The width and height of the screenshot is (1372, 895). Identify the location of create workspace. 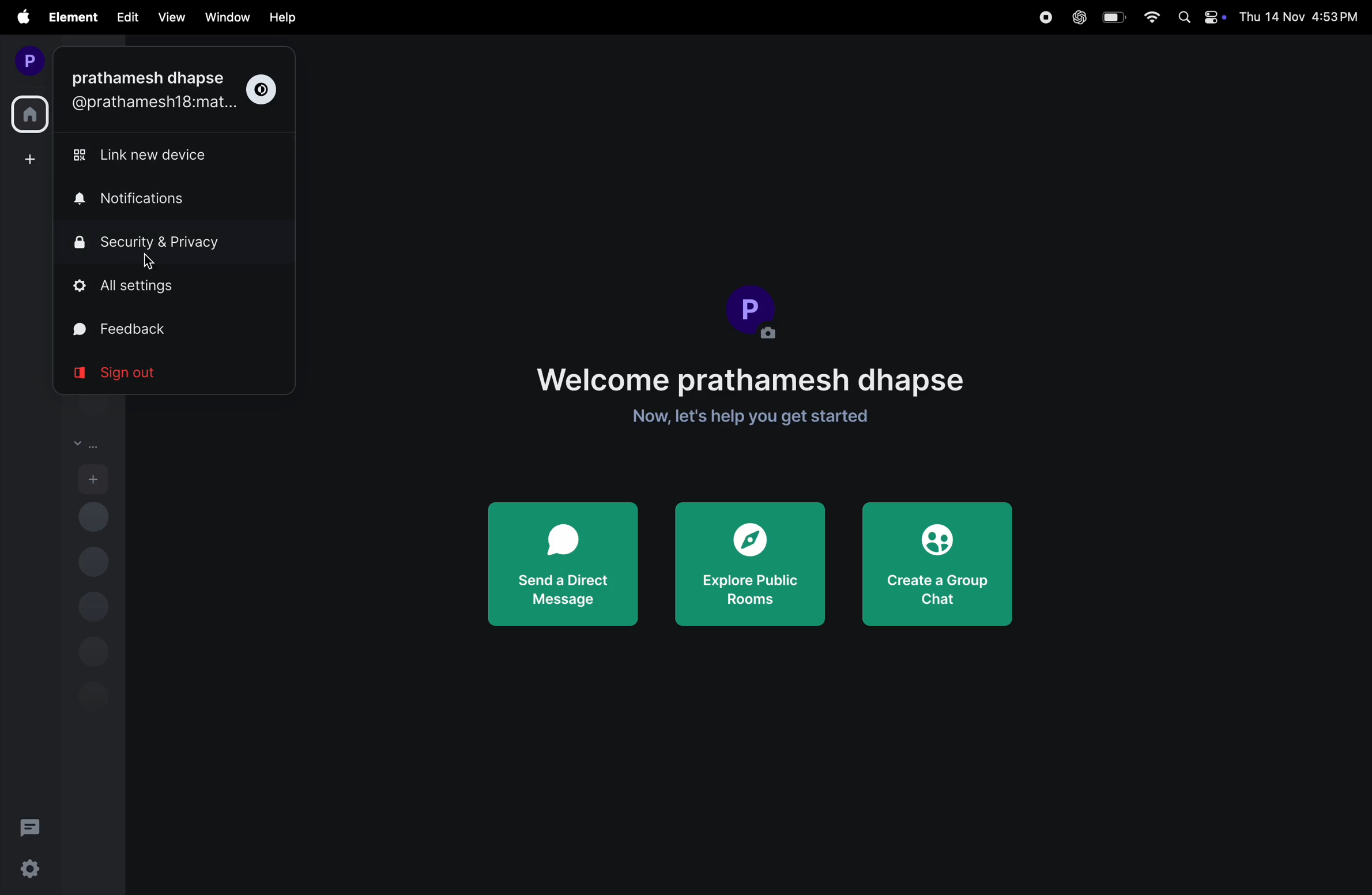
(27, 159).